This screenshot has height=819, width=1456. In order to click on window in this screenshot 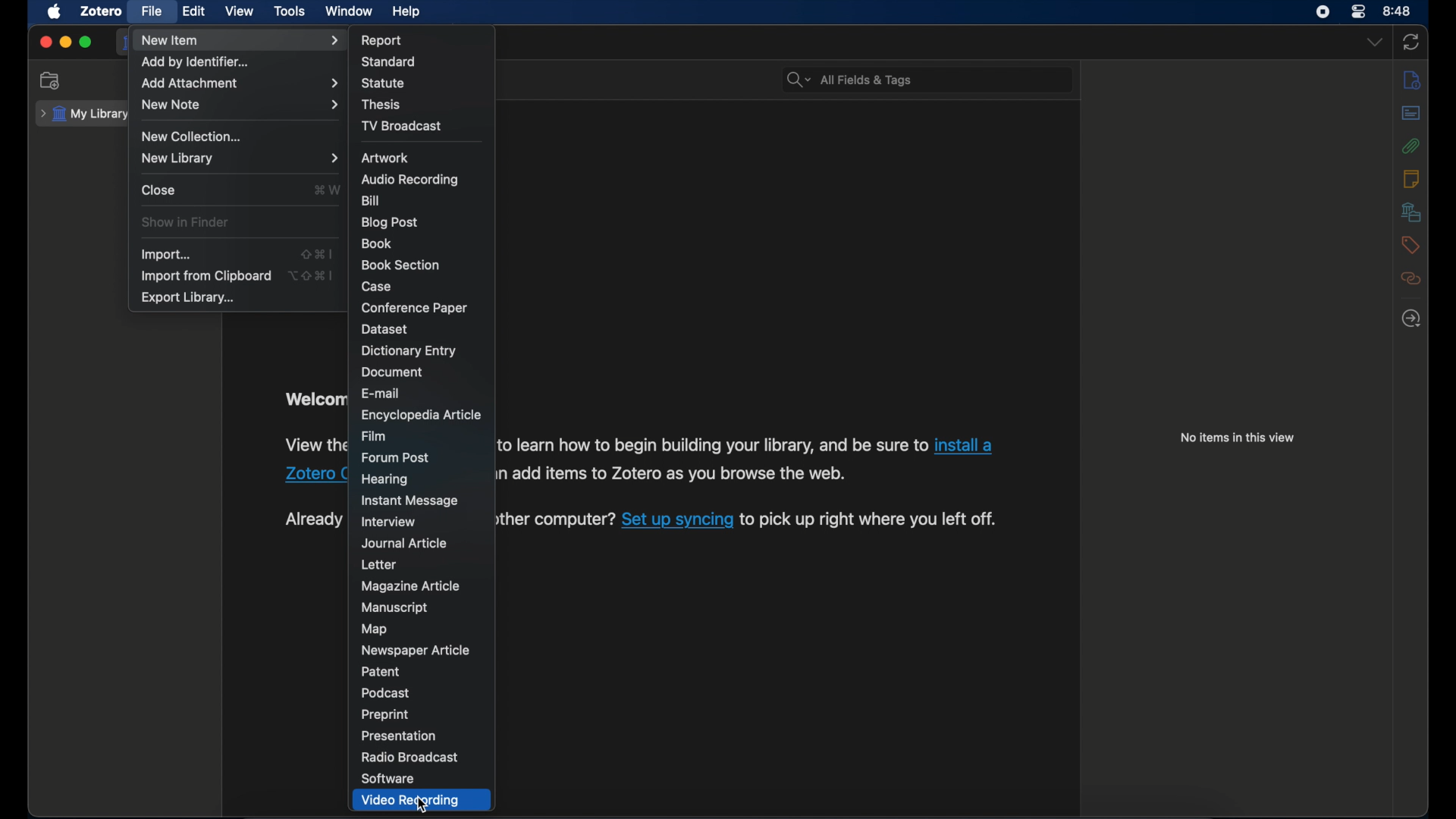, I will do `click(349, 11)`.